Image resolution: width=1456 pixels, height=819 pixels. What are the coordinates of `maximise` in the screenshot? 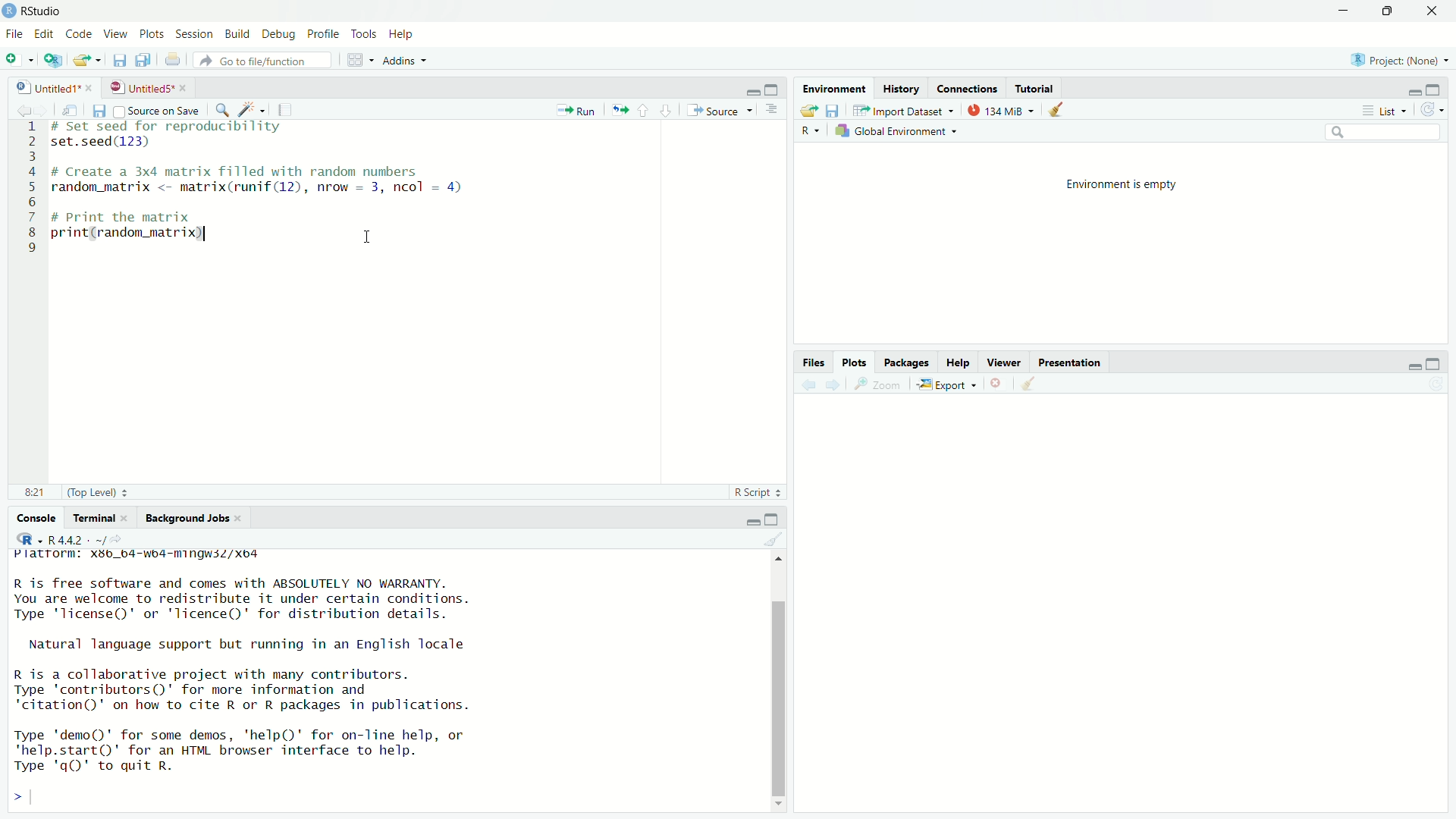 It's located at (1392, 14).